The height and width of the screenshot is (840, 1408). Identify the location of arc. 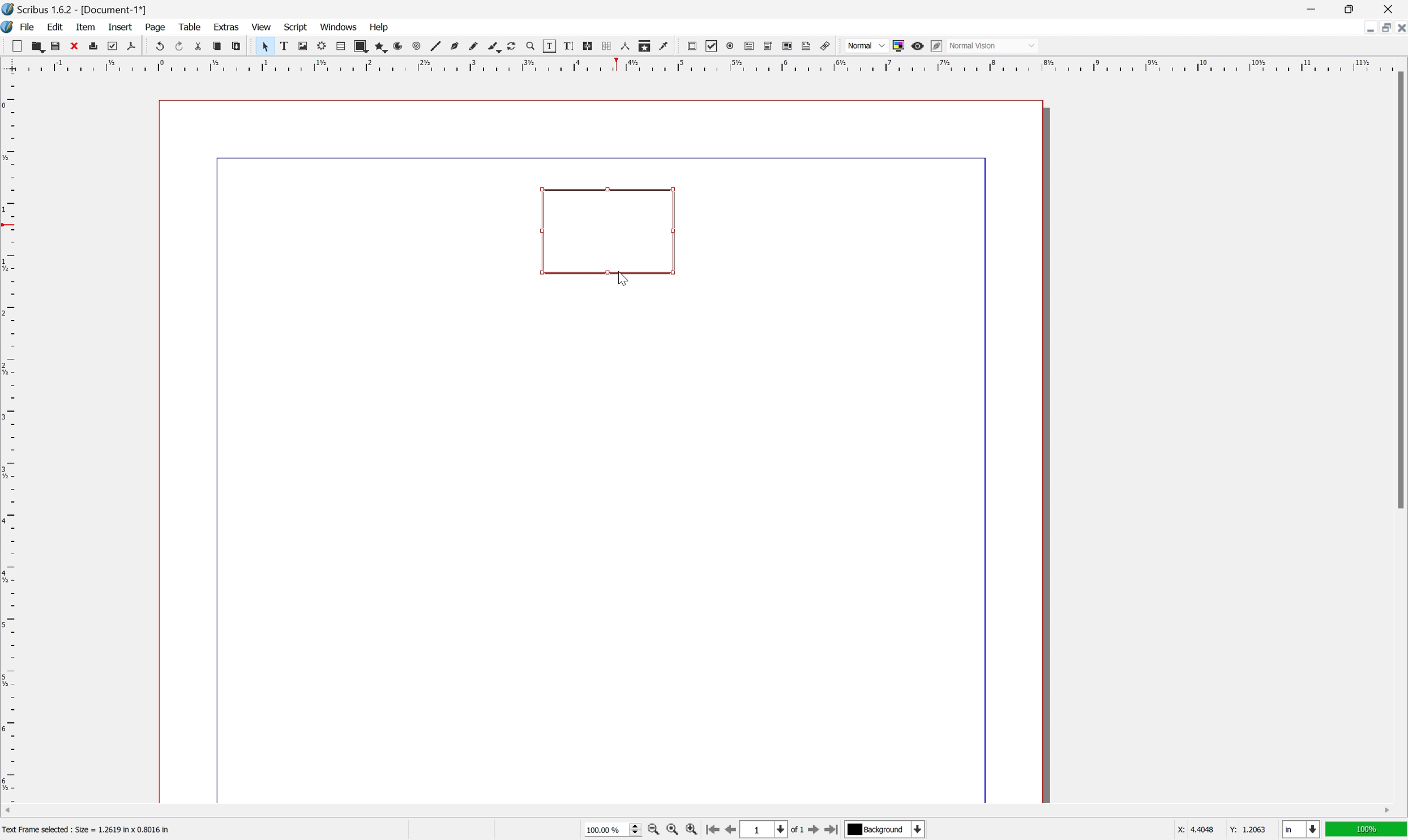
(397, 47).